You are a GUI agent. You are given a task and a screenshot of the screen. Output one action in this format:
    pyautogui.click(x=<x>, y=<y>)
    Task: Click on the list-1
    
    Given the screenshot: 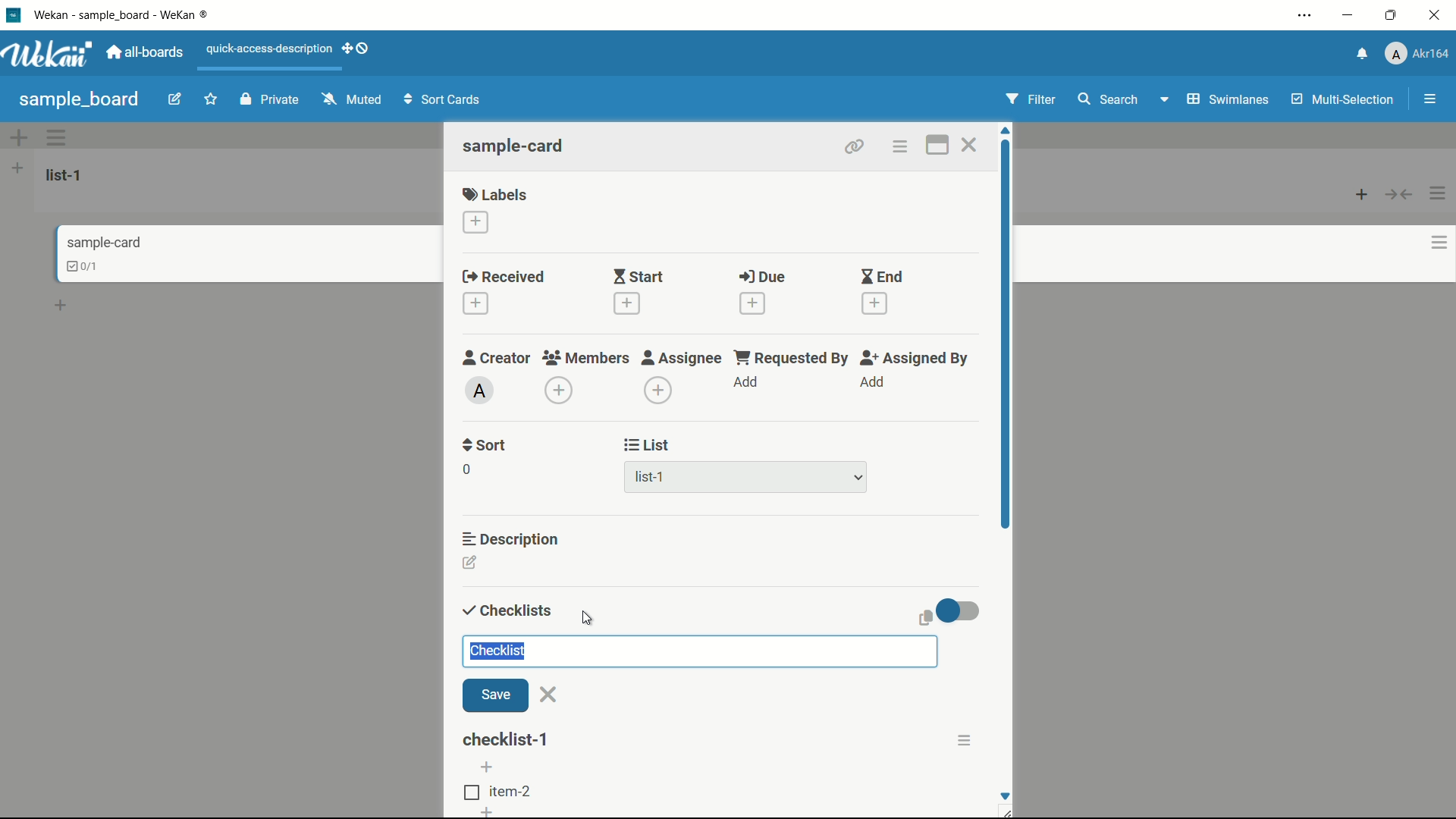 What is the action you would take?
    pyautogui.click(x=652, y=480)
    